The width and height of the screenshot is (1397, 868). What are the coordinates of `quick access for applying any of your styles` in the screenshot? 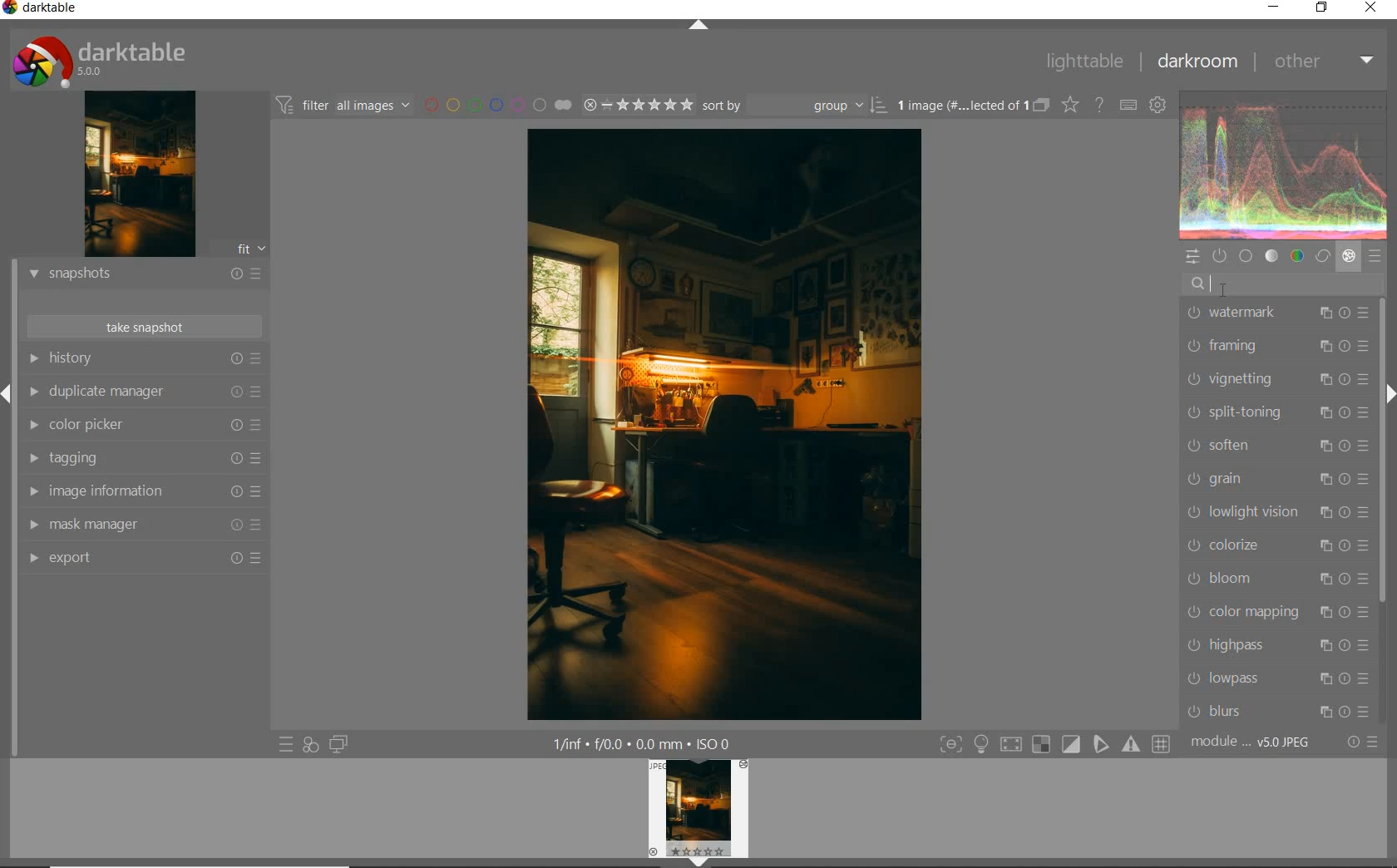 It's located at (309, 744).